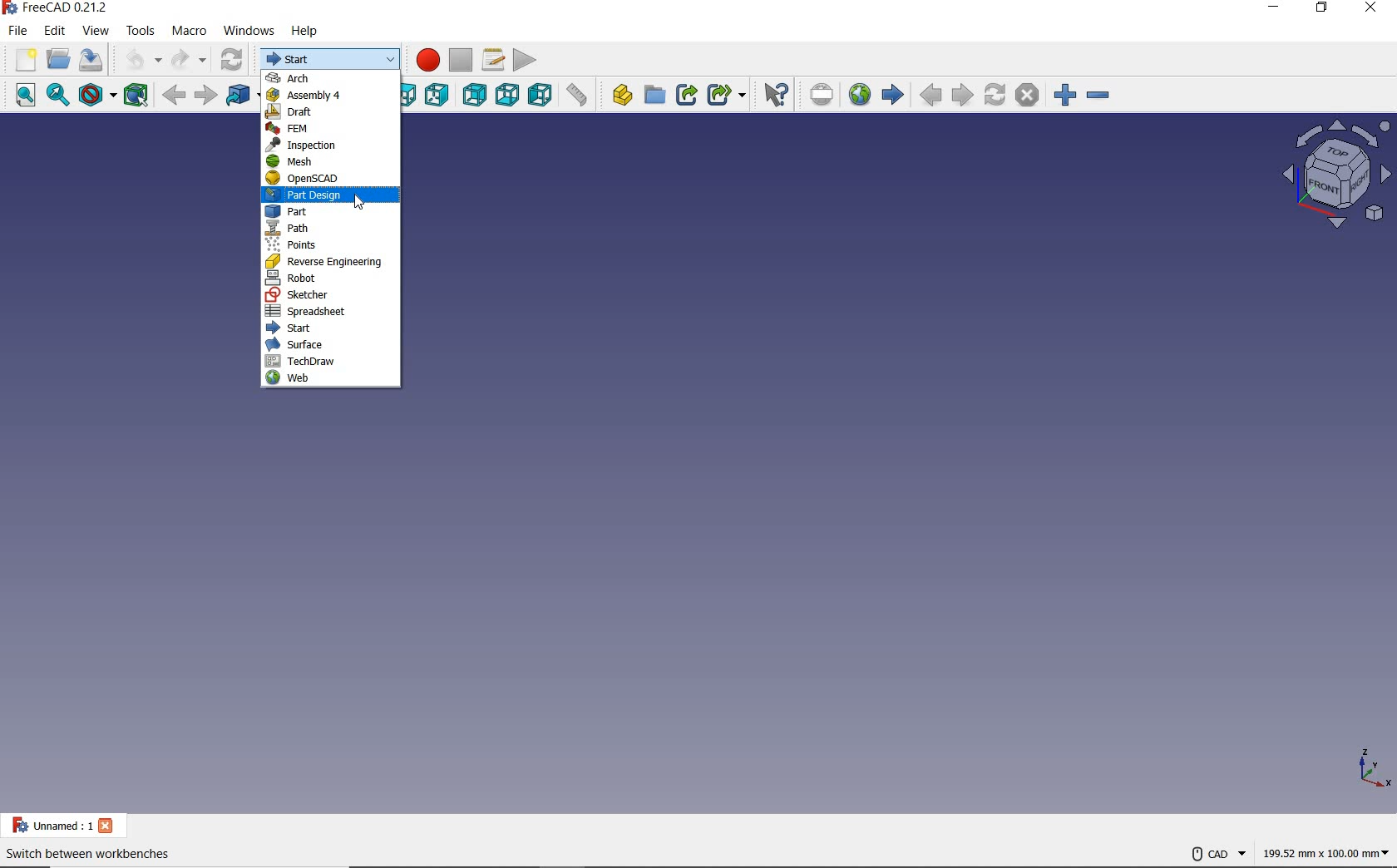  Describe the element at coordinates (333, 329) in the screenshot. I see `START` at that location.